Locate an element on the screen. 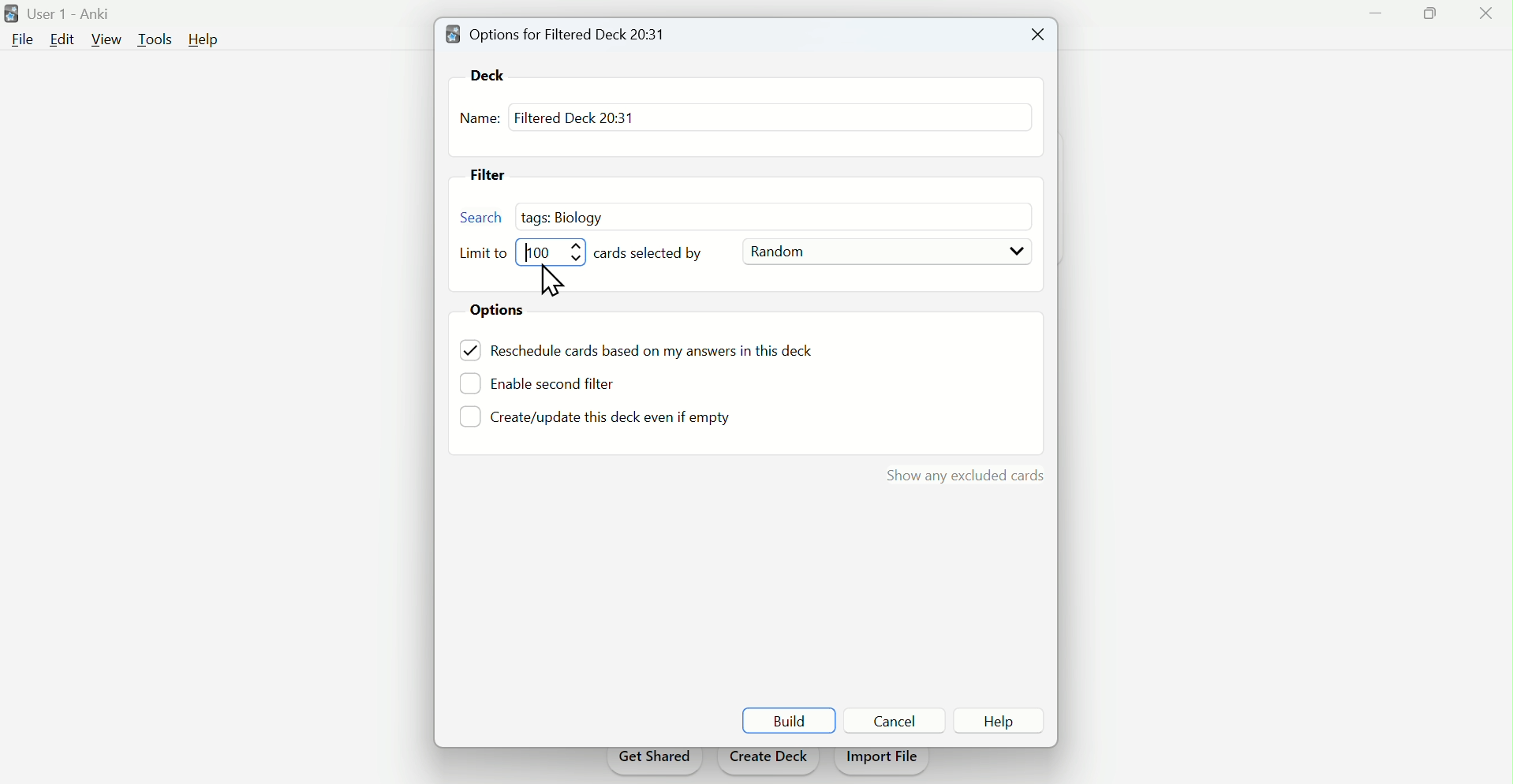 The height and width of the screenshot is (784, 1513). Cursor on Limit bar is located at coordinates (552, 280).